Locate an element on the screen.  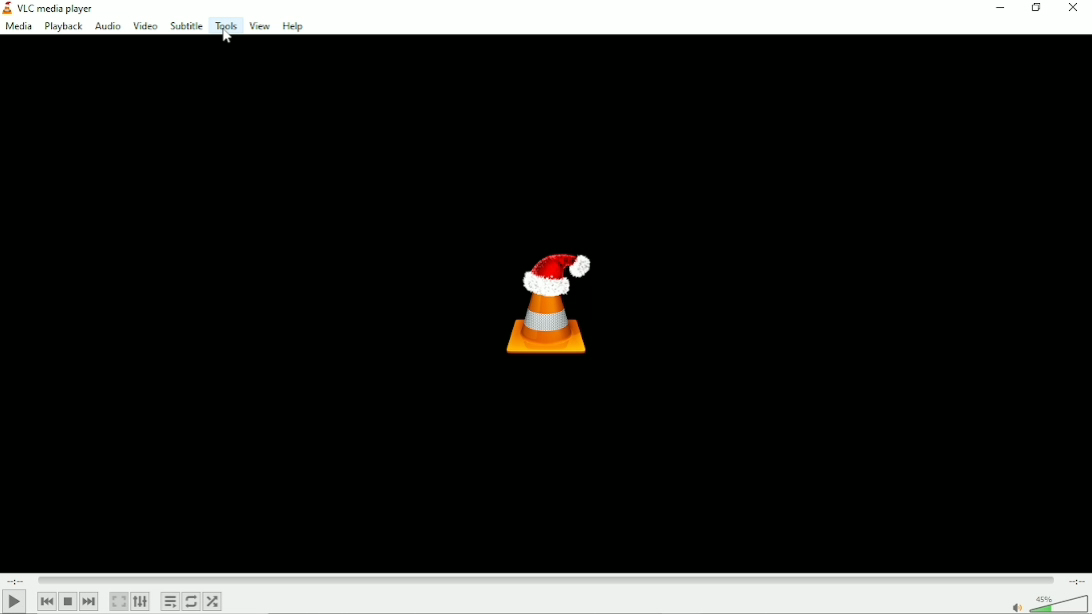
Toggle playlist is located at coordinates (169, 600).